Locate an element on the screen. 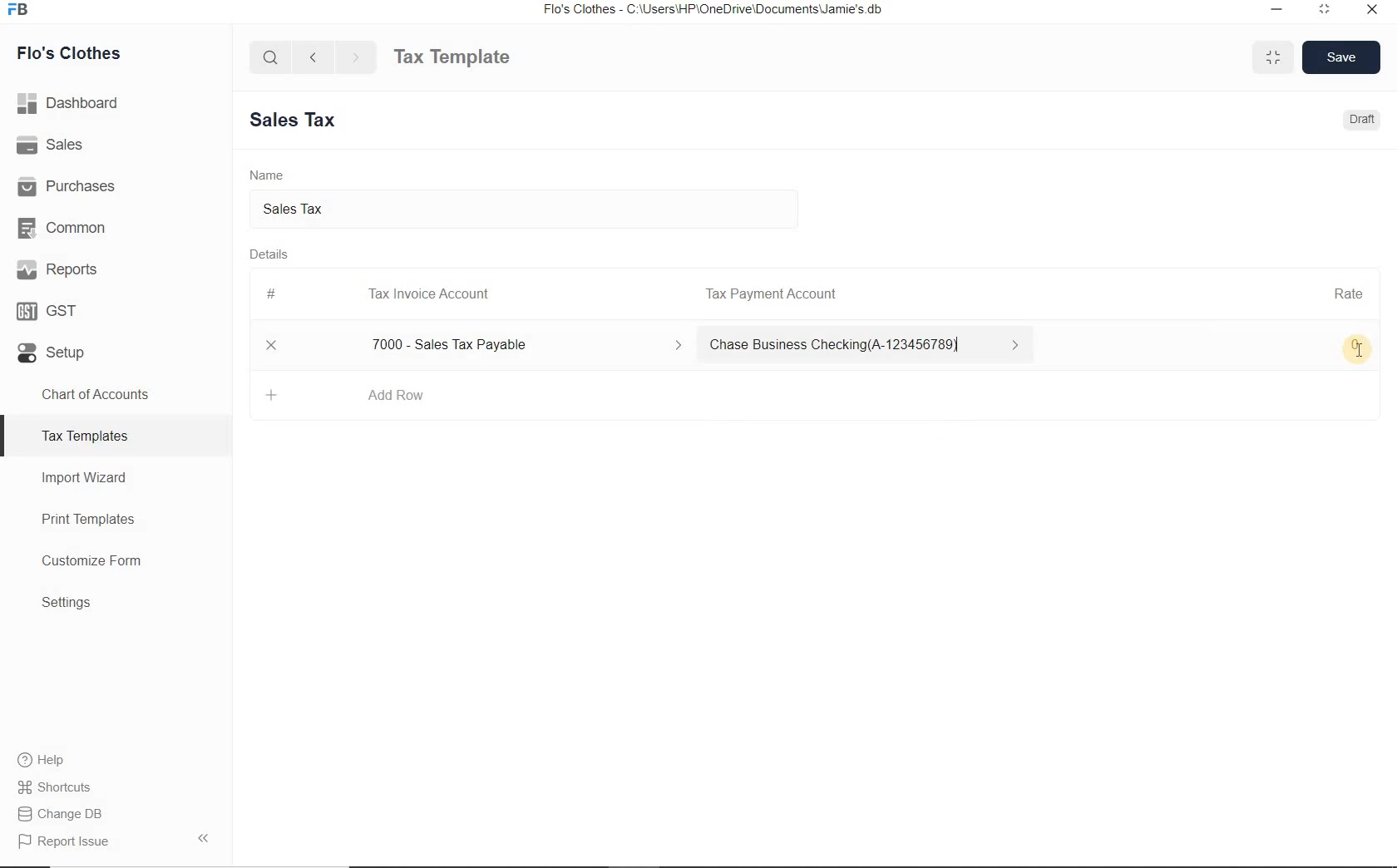 This screenshot has height=868, width=1397. Tax Template is located at coordinates (452, 57).